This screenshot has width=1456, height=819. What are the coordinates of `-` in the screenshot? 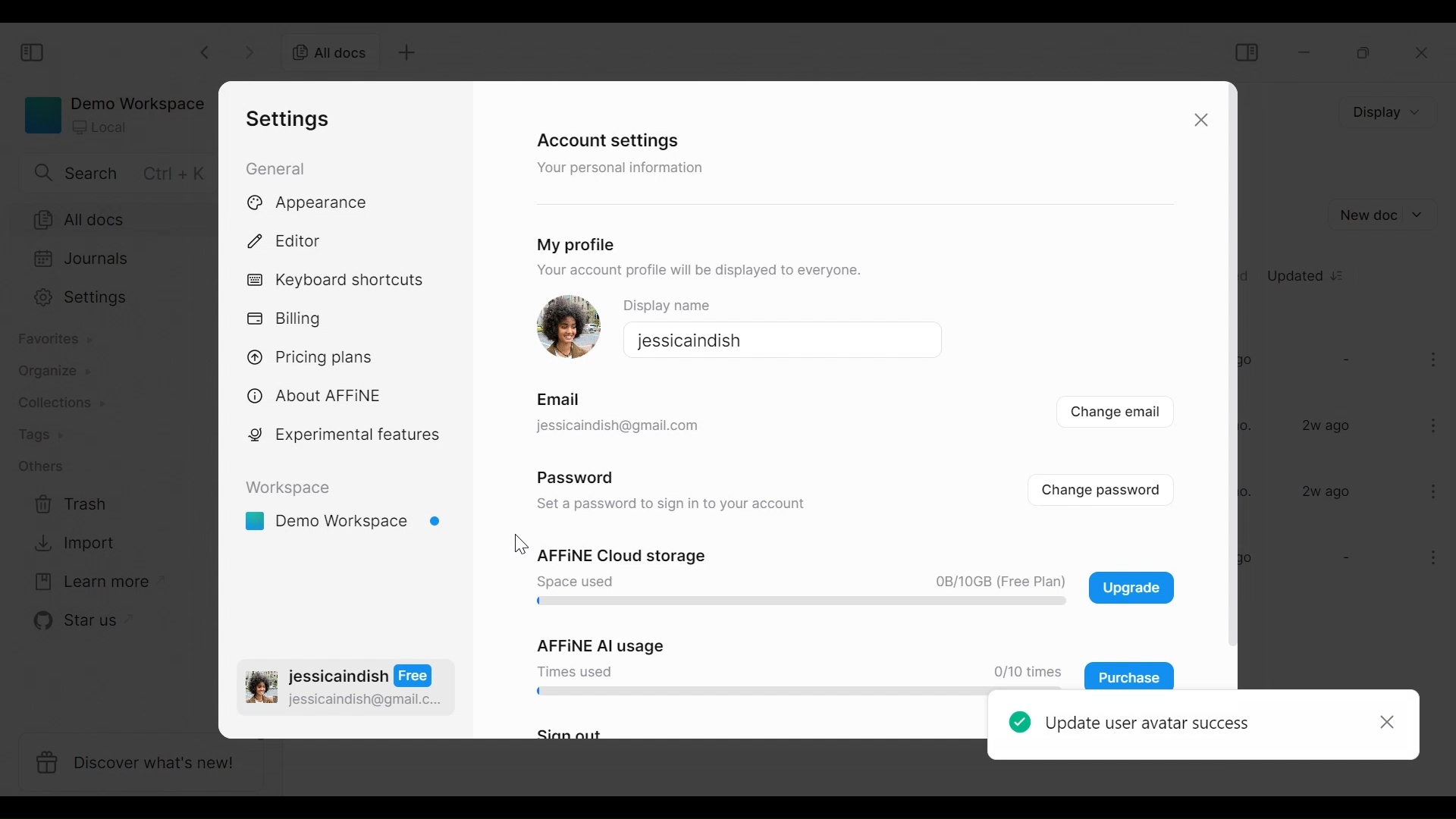 It's located at (1345, 359).